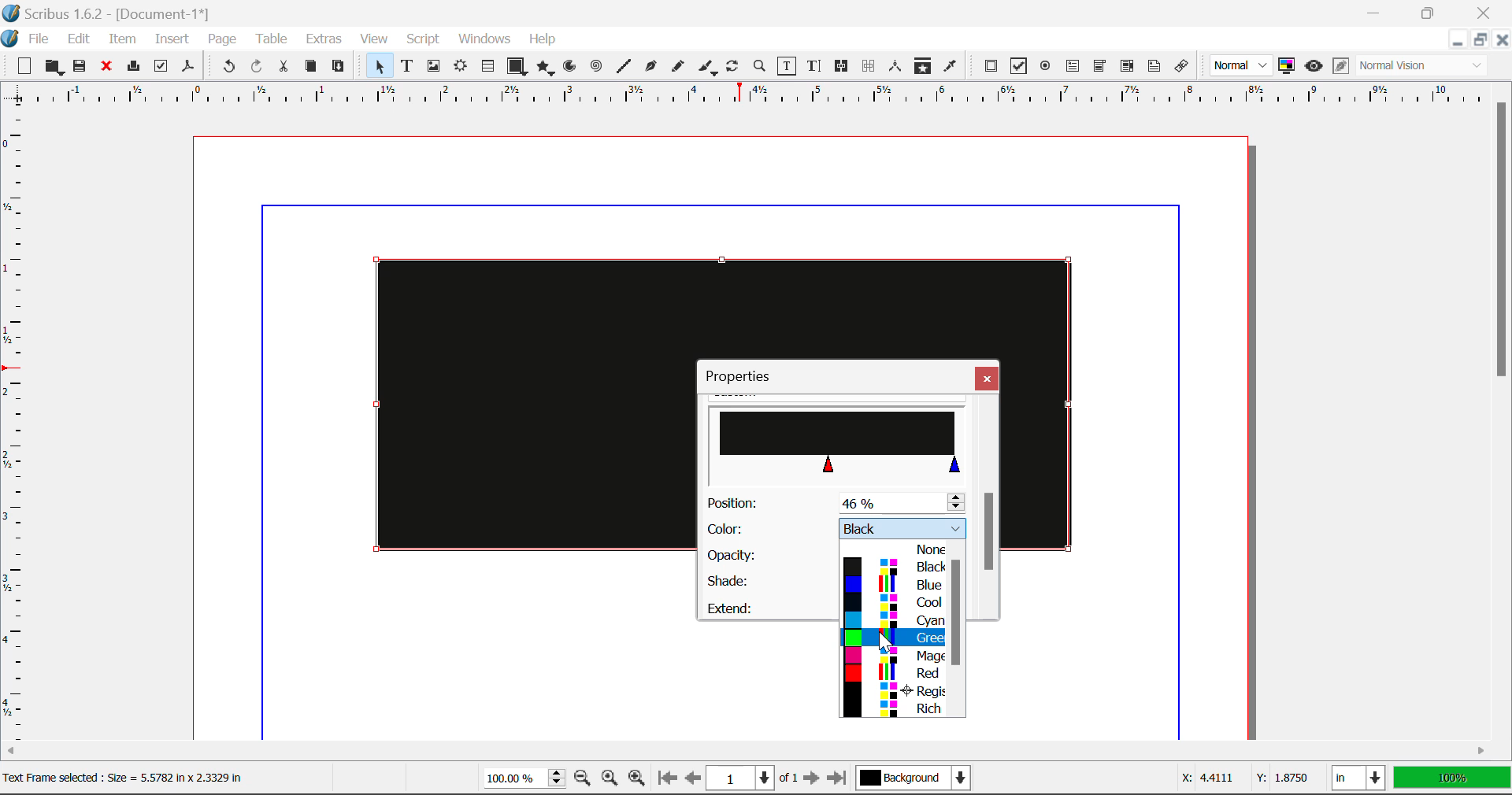 Image resolution: width=1512 pixels, height=795 pixels. I want to click on Blue, so click(898, 586).